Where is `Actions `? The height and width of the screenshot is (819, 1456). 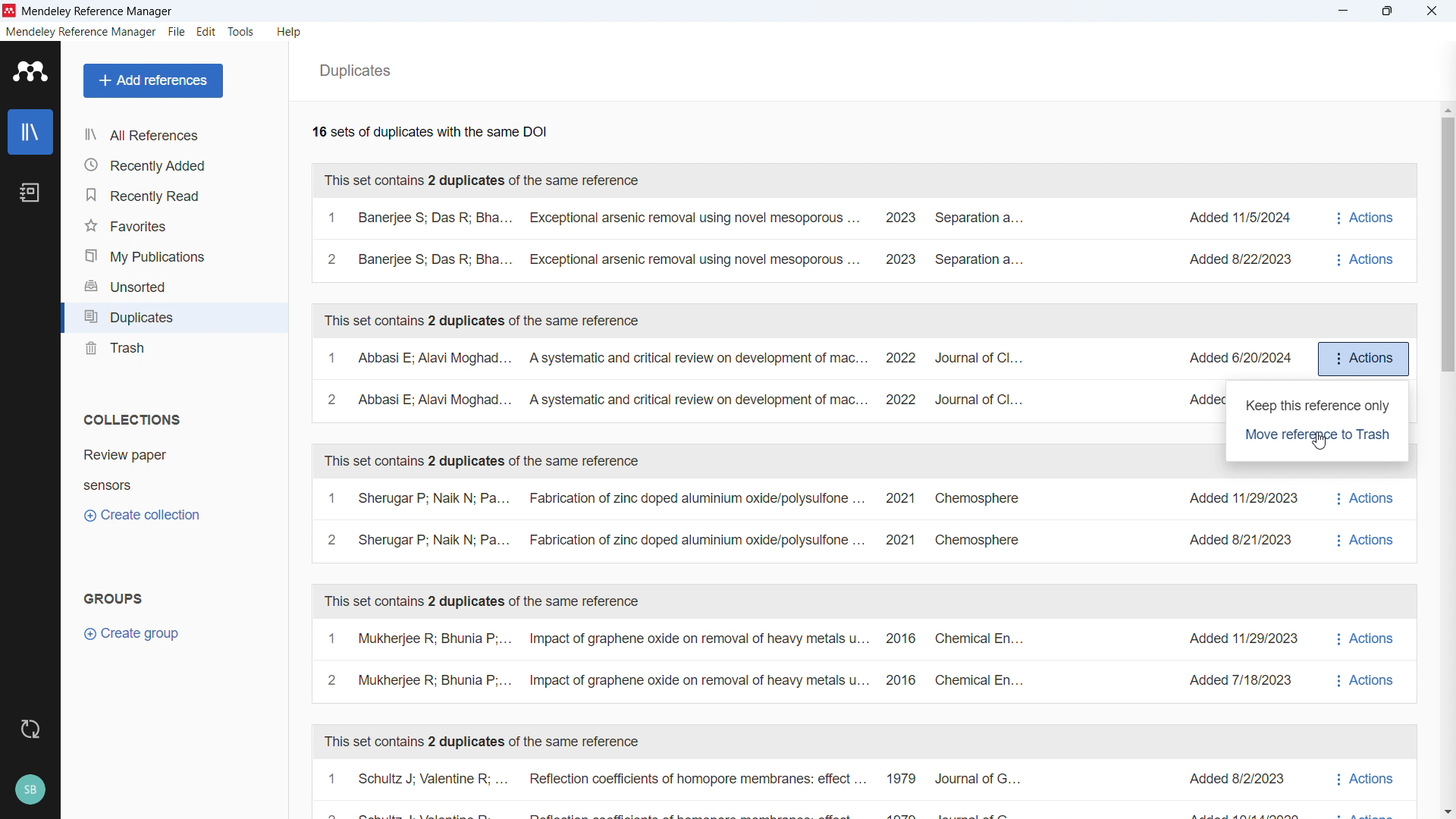
Actions  is located at coordinates (1368, 239).